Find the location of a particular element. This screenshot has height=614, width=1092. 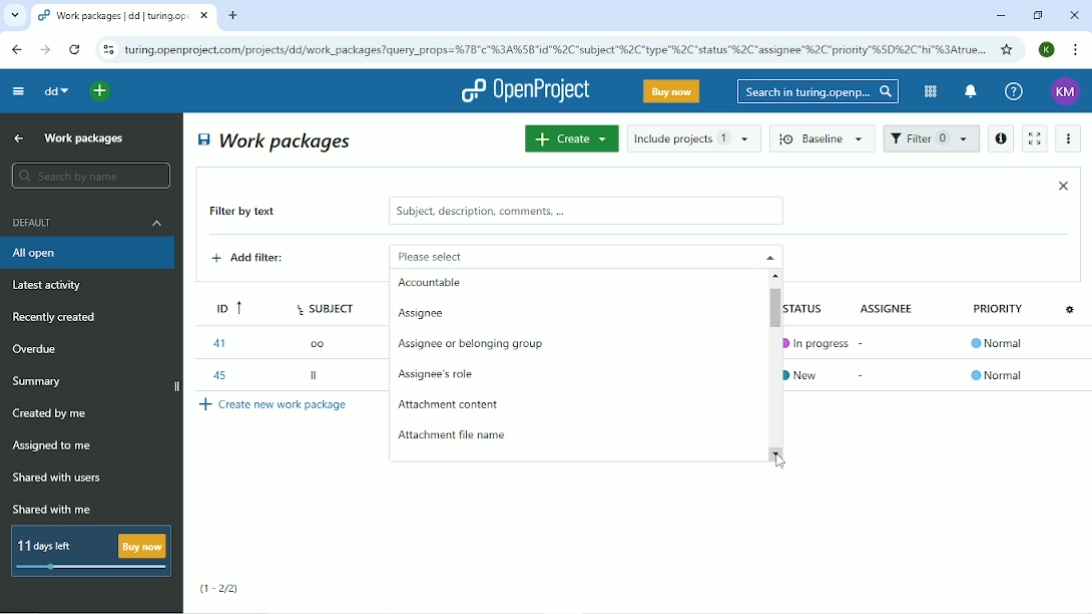

Accountable is located at coordinates (430, 283).